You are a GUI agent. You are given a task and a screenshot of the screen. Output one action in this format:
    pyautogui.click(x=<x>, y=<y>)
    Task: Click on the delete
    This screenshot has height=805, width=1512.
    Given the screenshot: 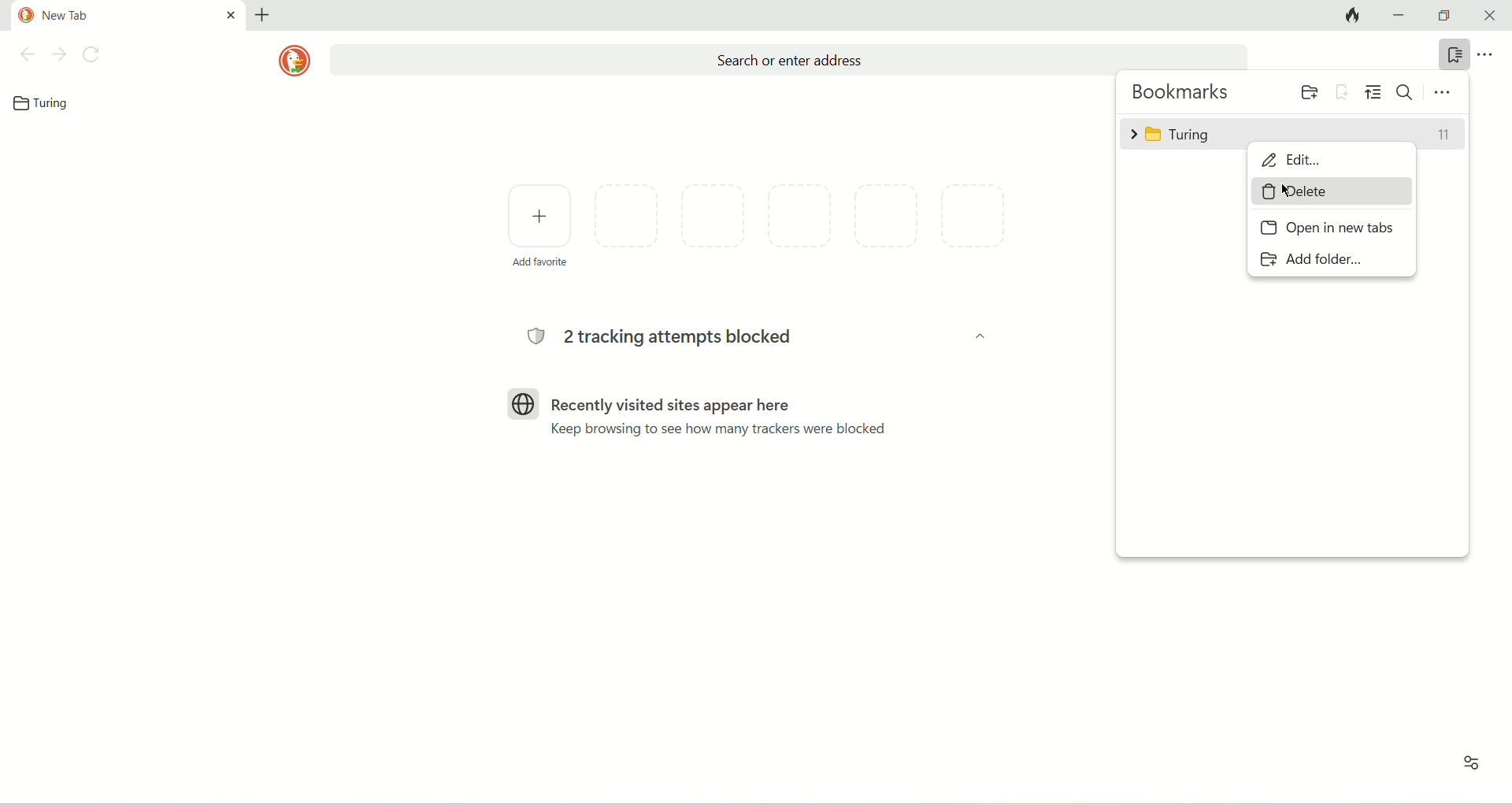 What is the action you would take?
    pyautogui.click(x=1331, y=191)
    